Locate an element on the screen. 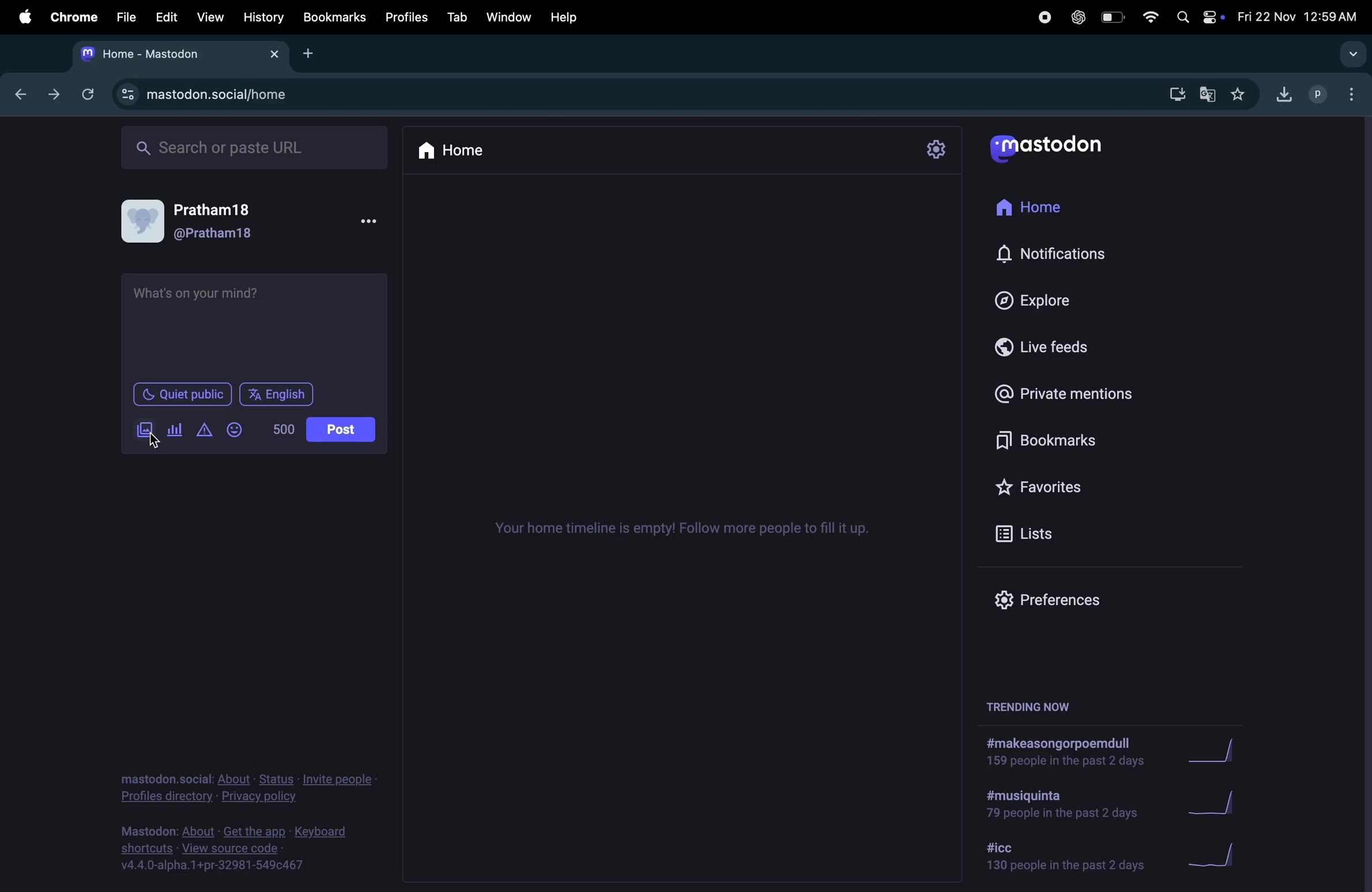  explore is located at coordinates (1046, 299).